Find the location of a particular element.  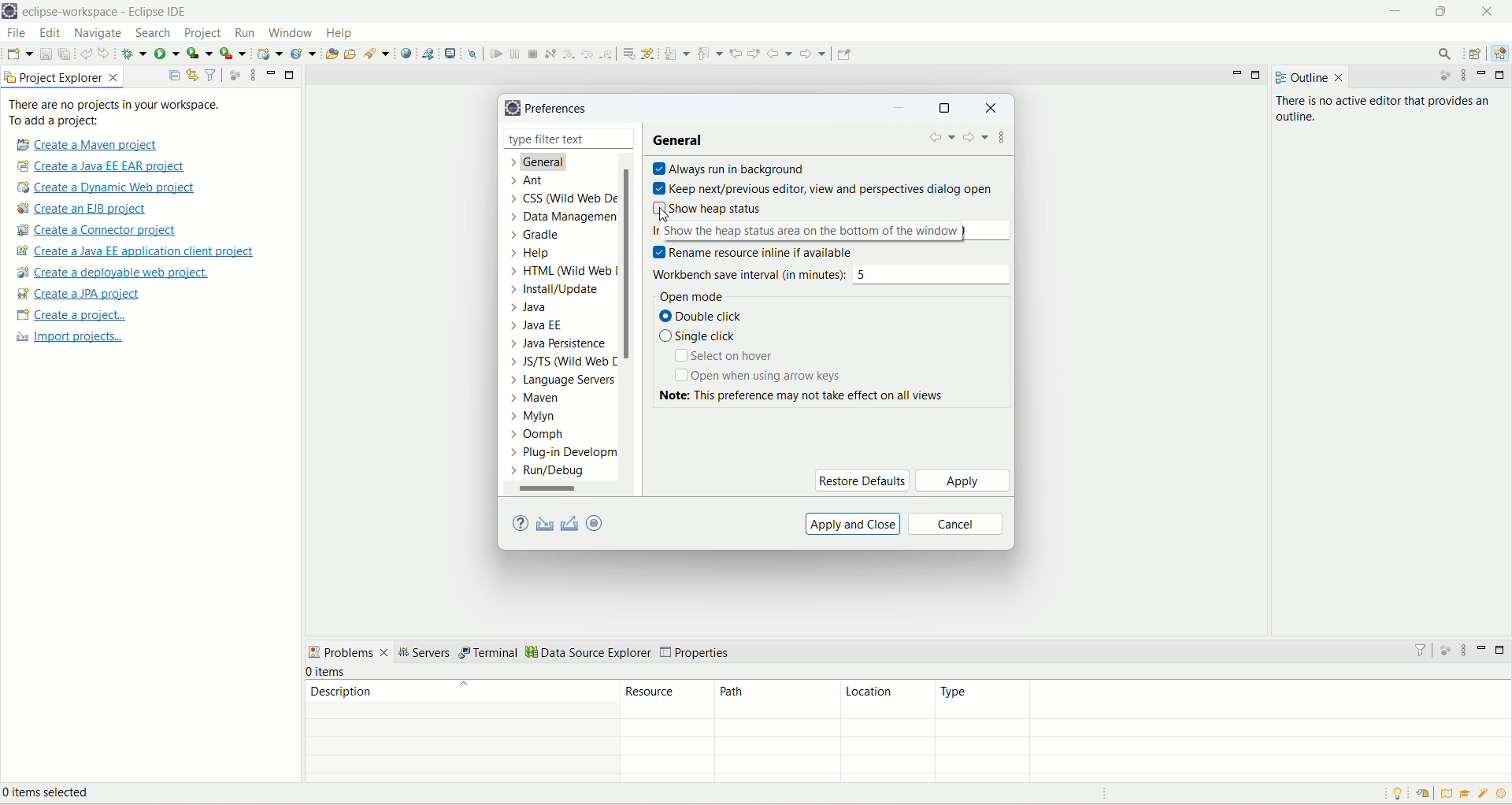

next edit location is located at coordinates (754, 51).